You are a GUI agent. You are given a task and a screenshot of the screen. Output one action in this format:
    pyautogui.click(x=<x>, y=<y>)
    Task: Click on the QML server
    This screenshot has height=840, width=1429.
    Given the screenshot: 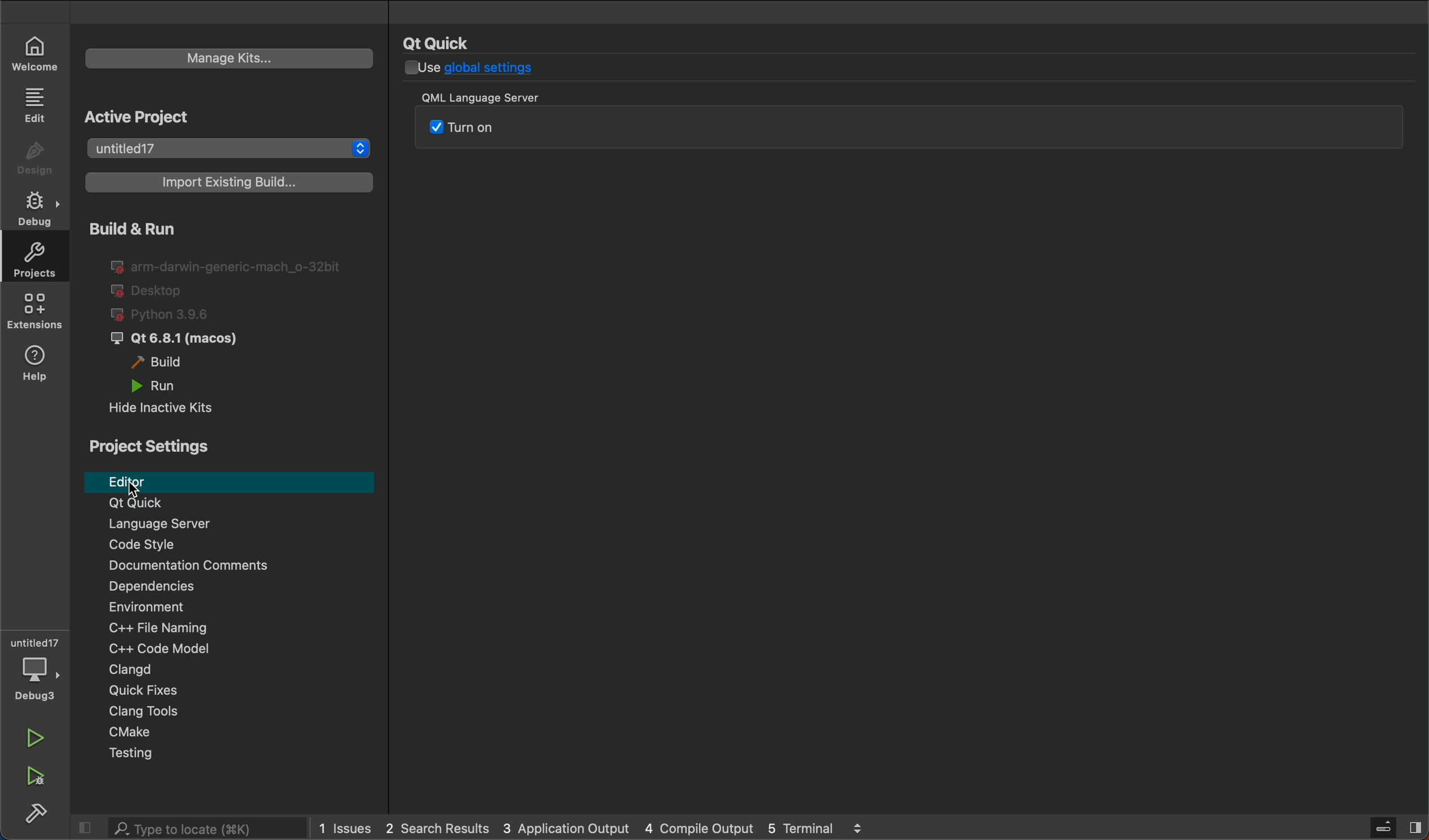 What is the action you would take?
    pyautogui.click(x=523, y=125)
    